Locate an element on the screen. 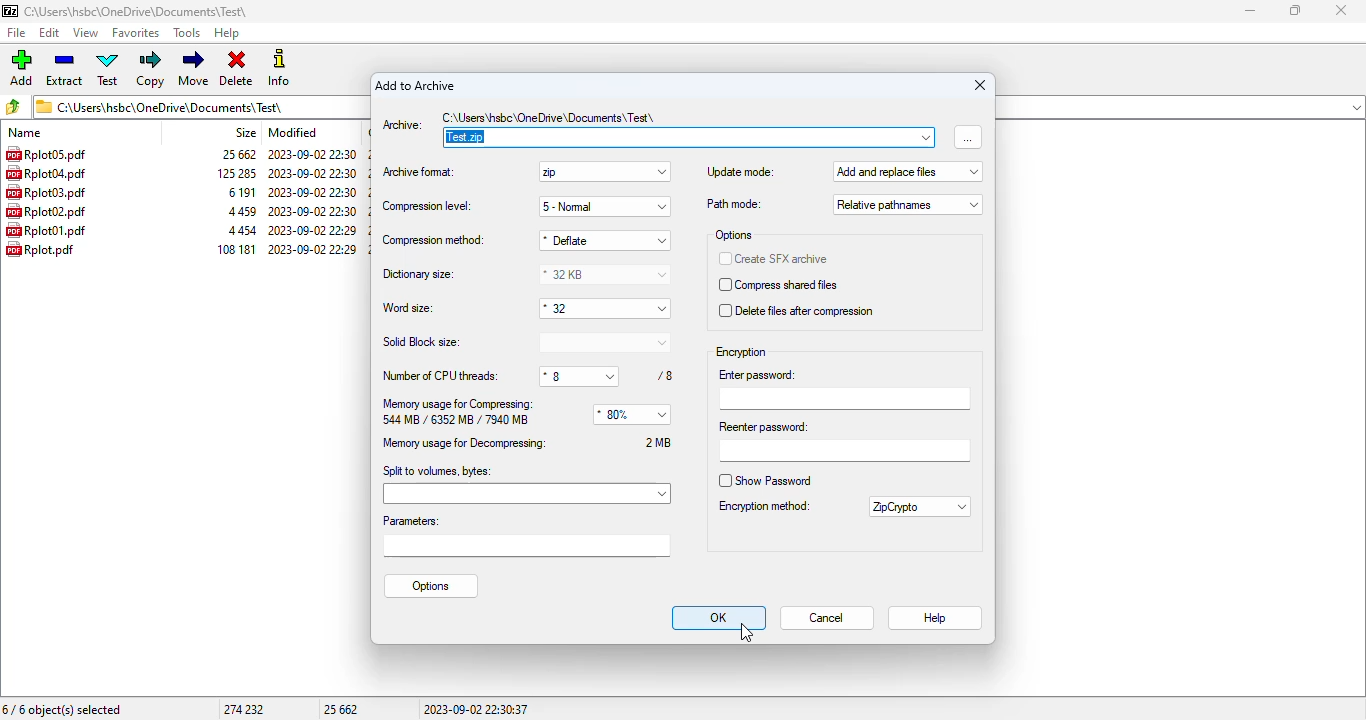 The height and width of the screenshot is (720, 1366). modified date & time is located at coordinates (313, 248).